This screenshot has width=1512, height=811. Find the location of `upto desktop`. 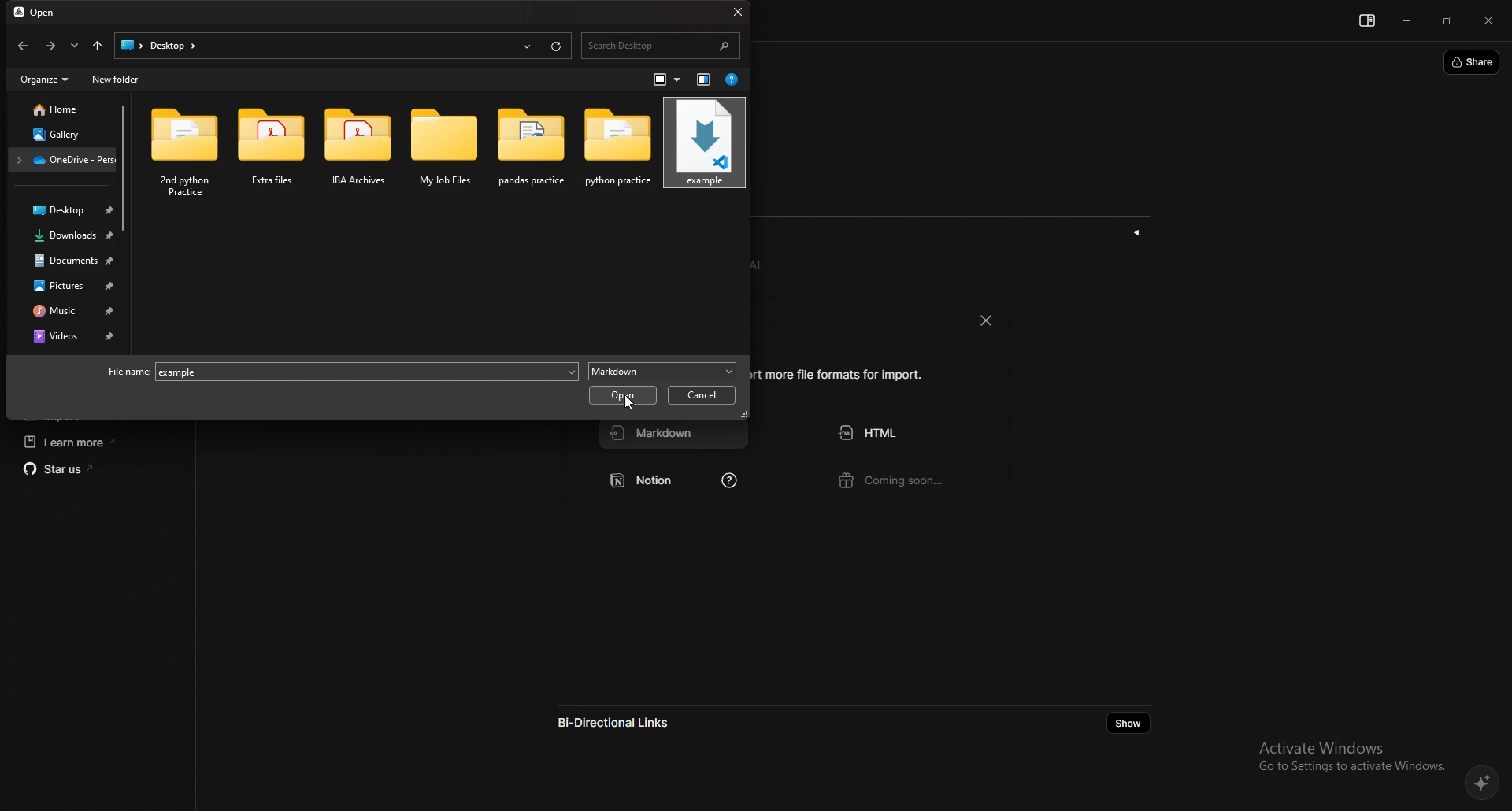

upto desktop is located at coordinates (97, 46).